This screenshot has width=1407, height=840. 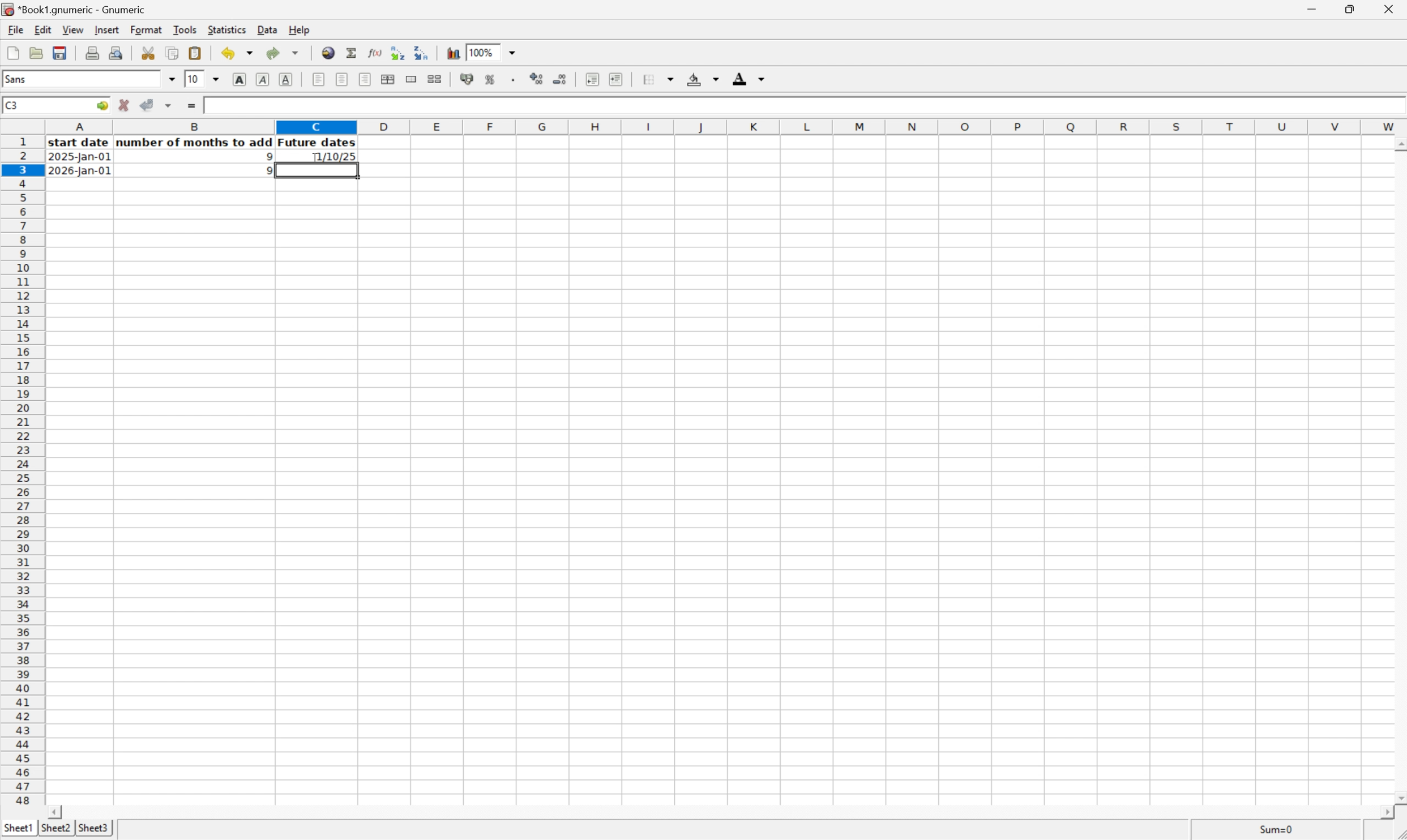 I want to click on Edit, so click(x=43, y=29).